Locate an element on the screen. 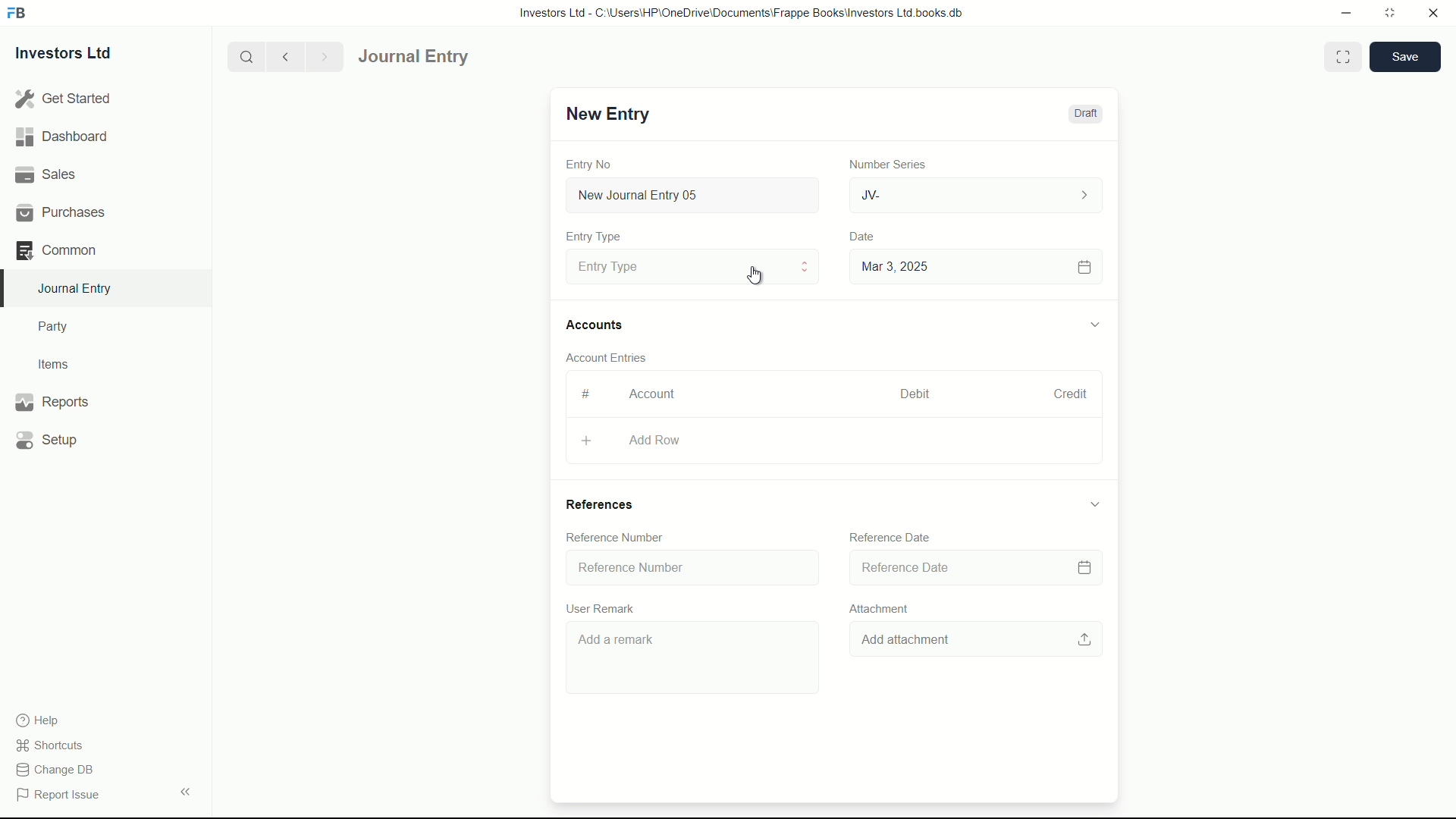 The width and height of the screenshot is (1456, 819). Aad Row is located at coordinates (835, 441).